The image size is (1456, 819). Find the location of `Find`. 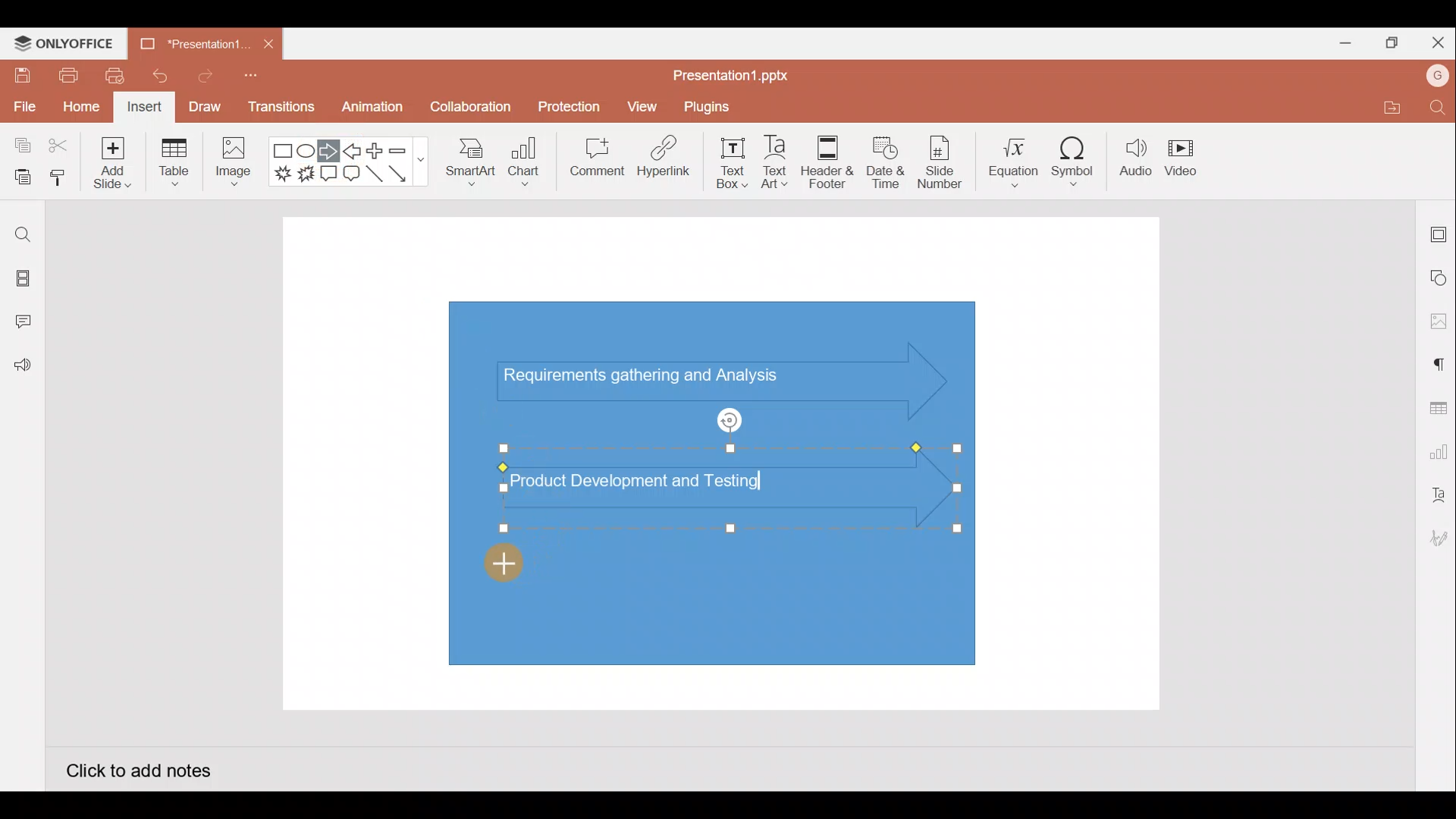

Find is located at coordinates (23, 234).